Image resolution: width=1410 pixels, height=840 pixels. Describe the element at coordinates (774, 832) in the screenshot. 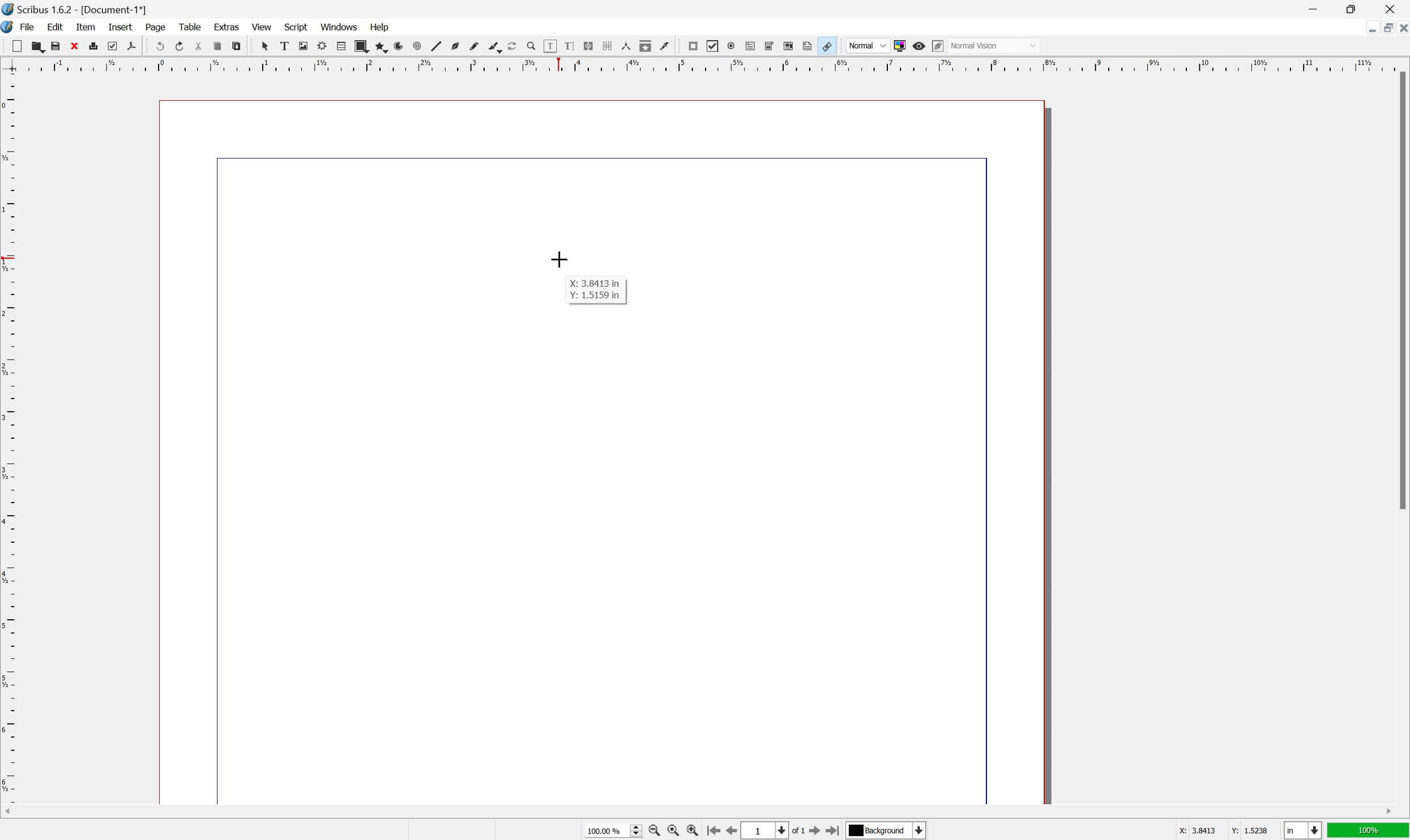

I see `select current page` at that location.